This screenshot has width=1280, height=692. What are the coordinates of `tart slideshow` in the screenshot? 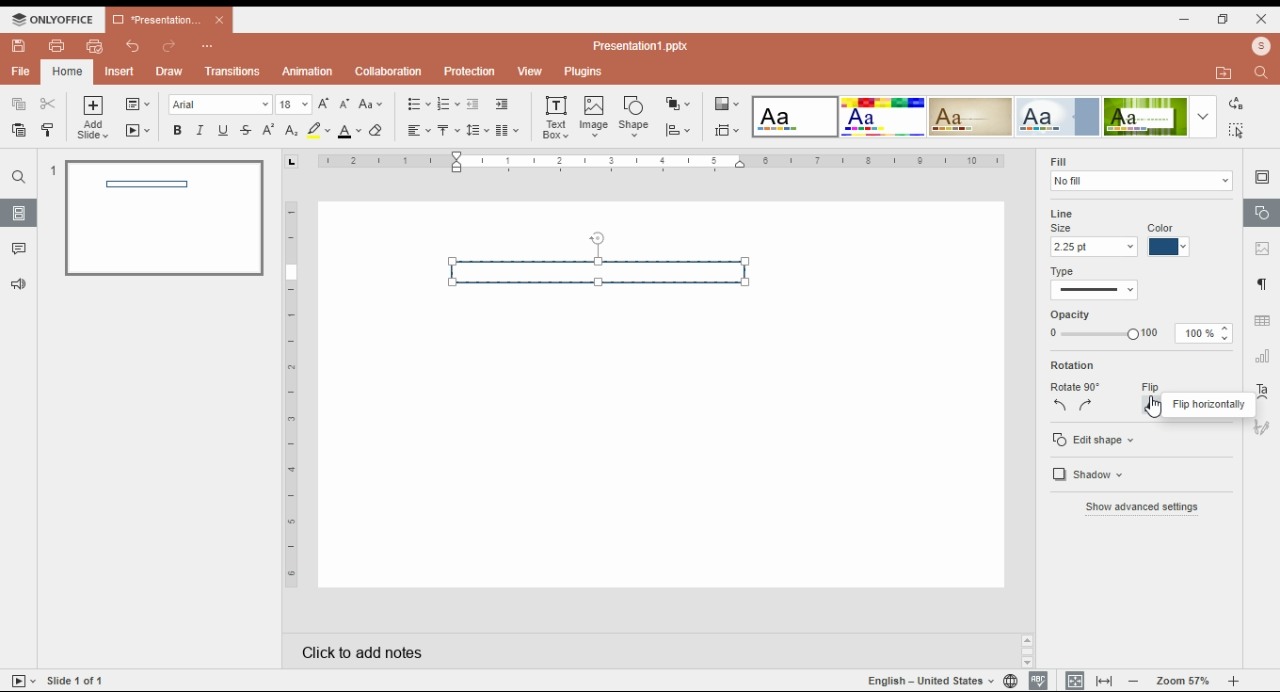 It's located at (24, 680).